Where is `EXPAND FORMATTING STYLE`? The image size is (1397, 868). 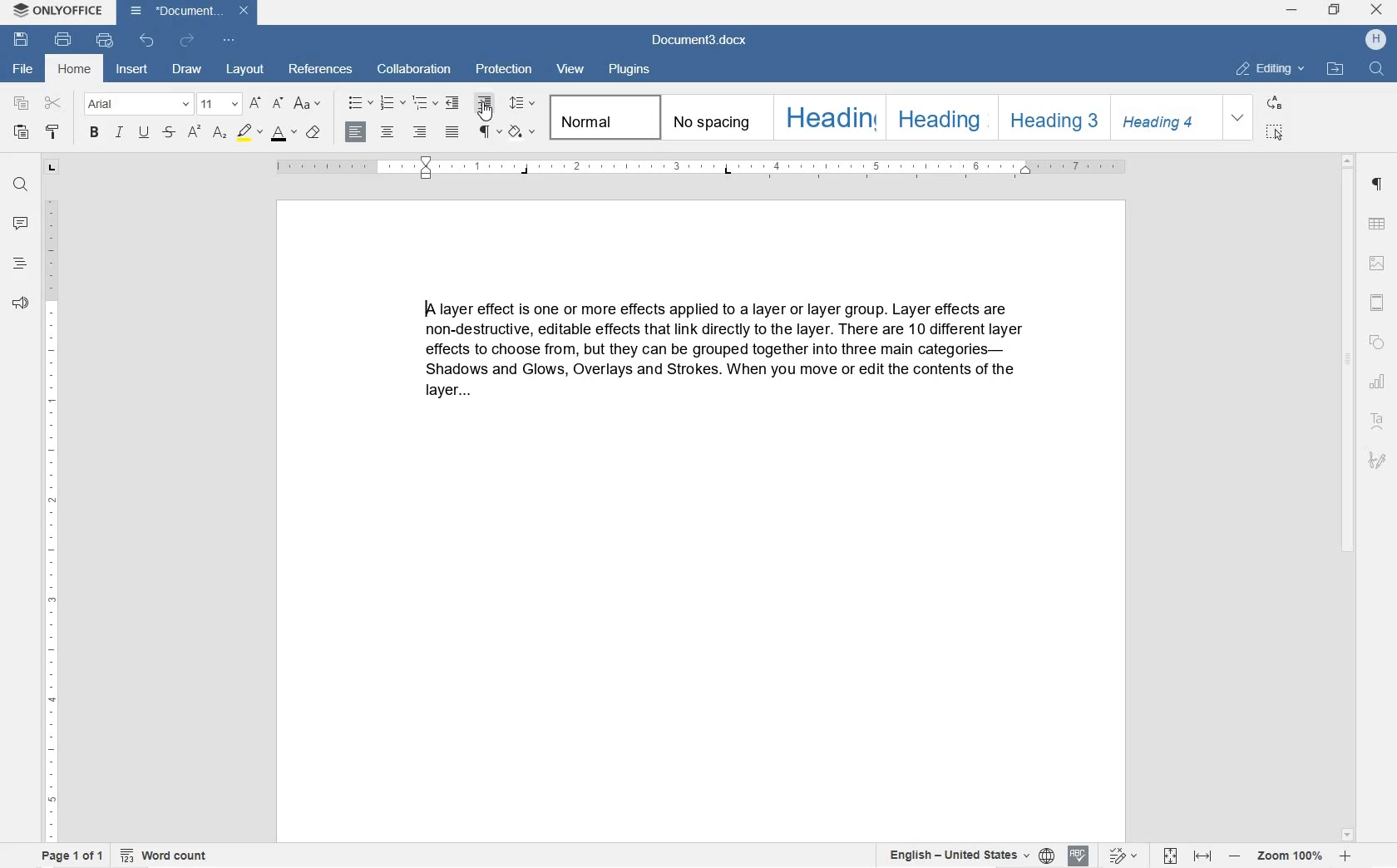 EXPAND FORMATTING STYLE is located at coordinates (1240, 118).